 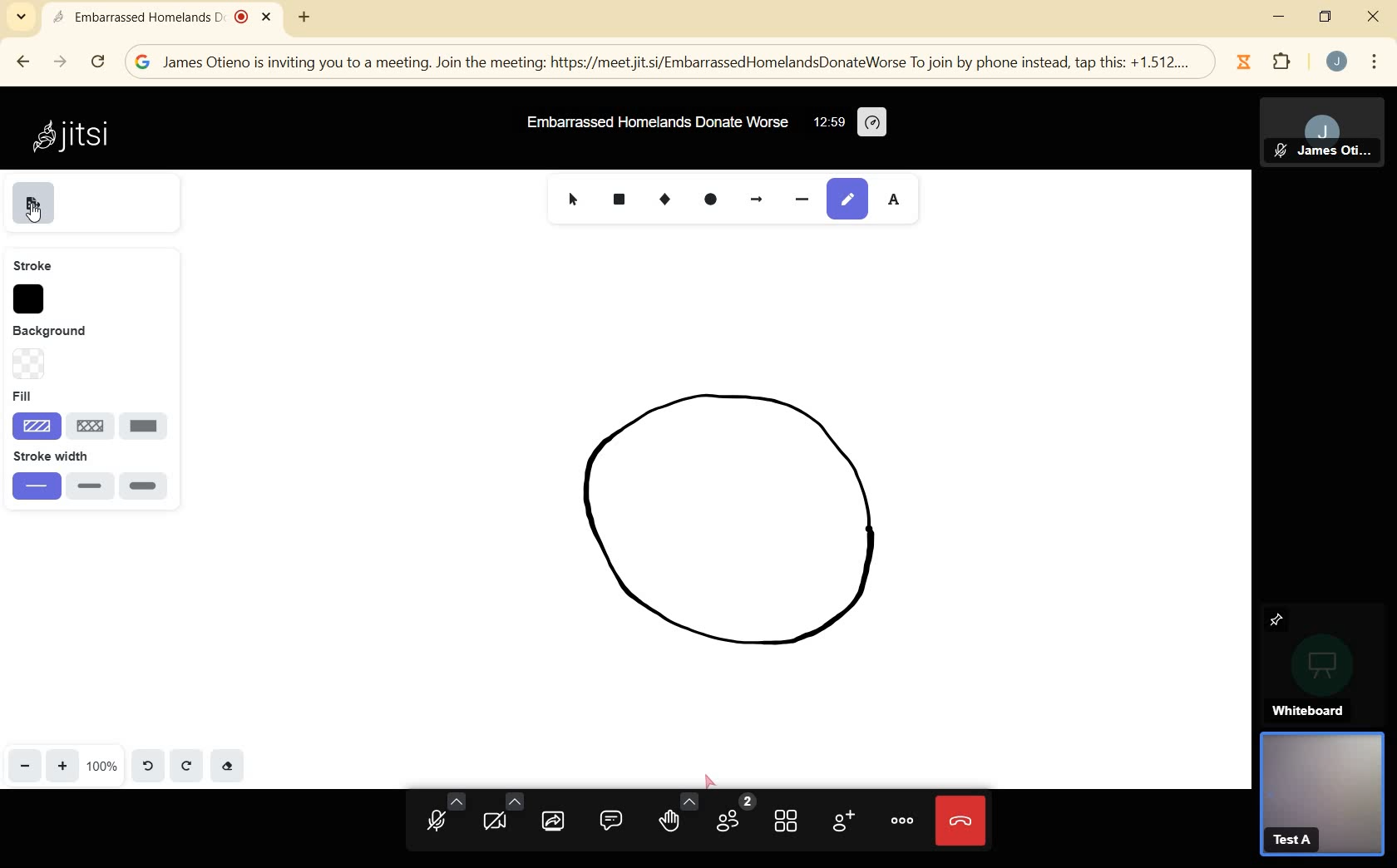 What do you see at coordinates (963, 823) in the screenshot?
I see `leave meeting` at bounding box center [963, 823].